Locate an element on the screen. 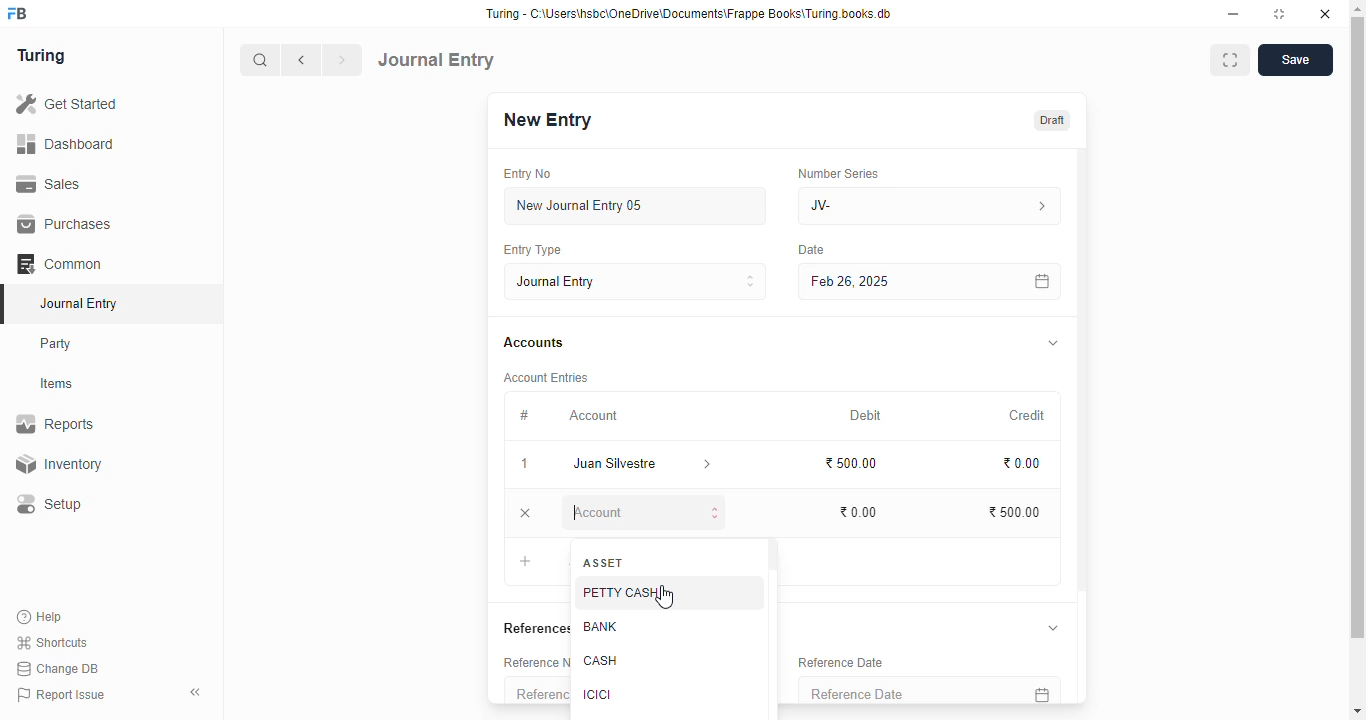  reference number is located at coordinates (536, 690).